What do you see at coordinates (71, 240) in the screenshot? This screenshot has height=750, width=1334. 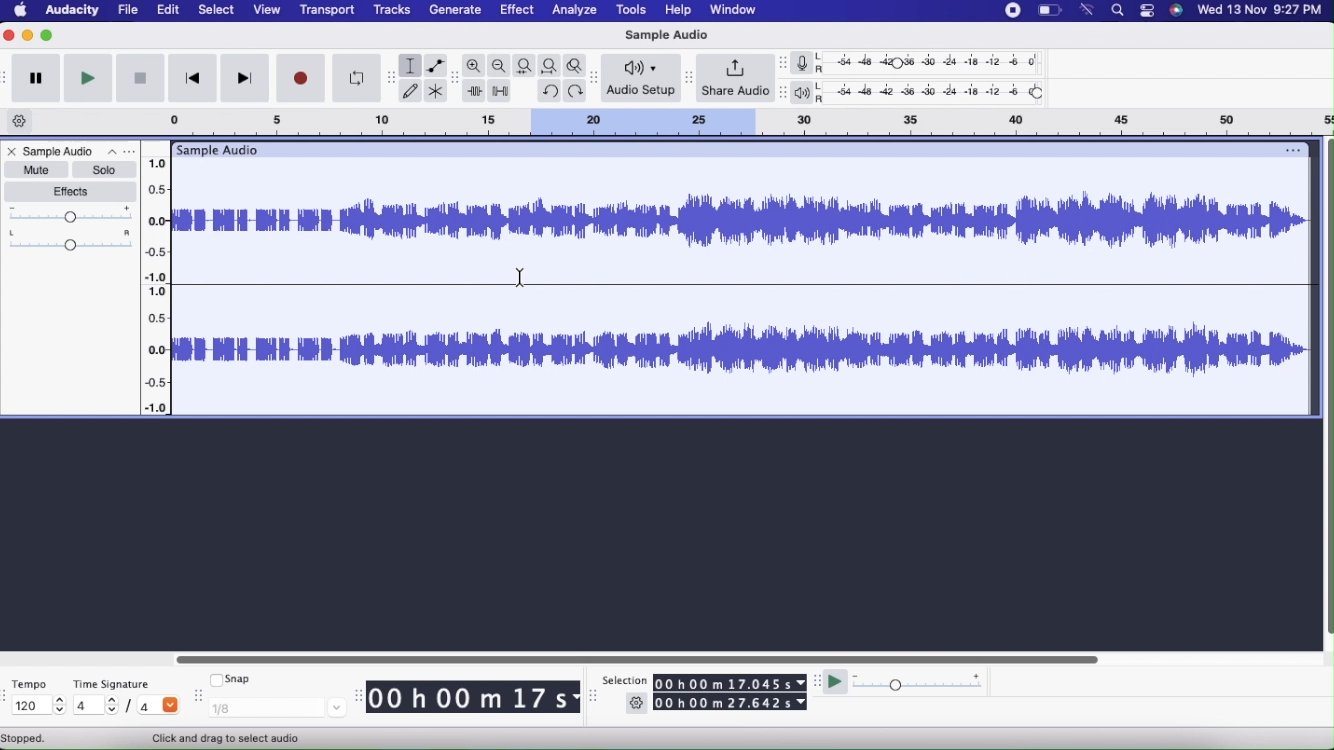 I see `Pan: Center` at bounding box center [71, 240].